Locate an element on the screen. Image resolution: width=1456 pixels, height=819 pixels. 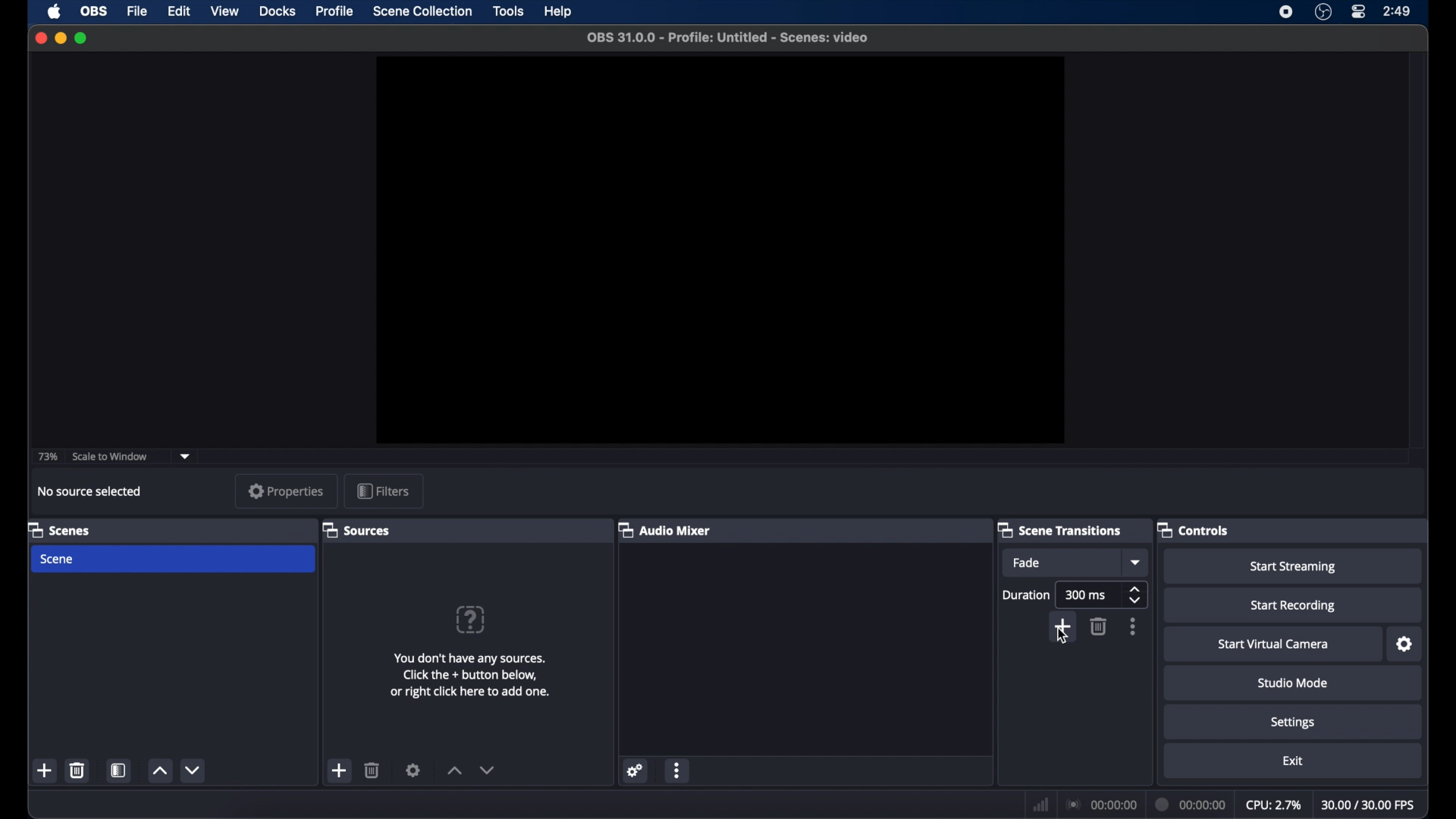
minimize is located at coordinates (60, 38).